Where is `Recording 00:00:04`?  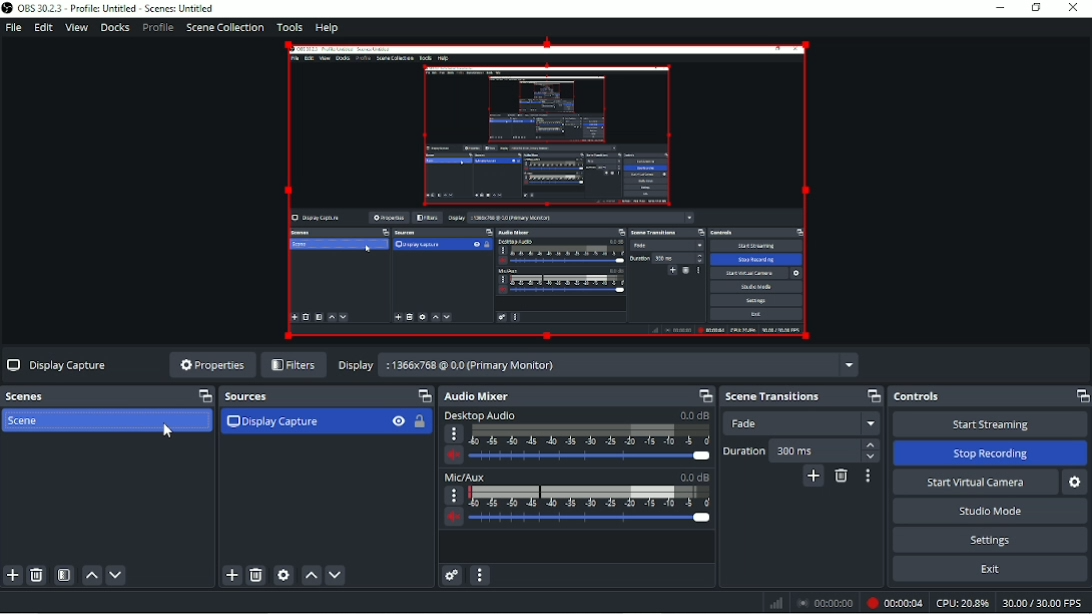
Recording 00:00:04 is located at coordinates (894, 604).